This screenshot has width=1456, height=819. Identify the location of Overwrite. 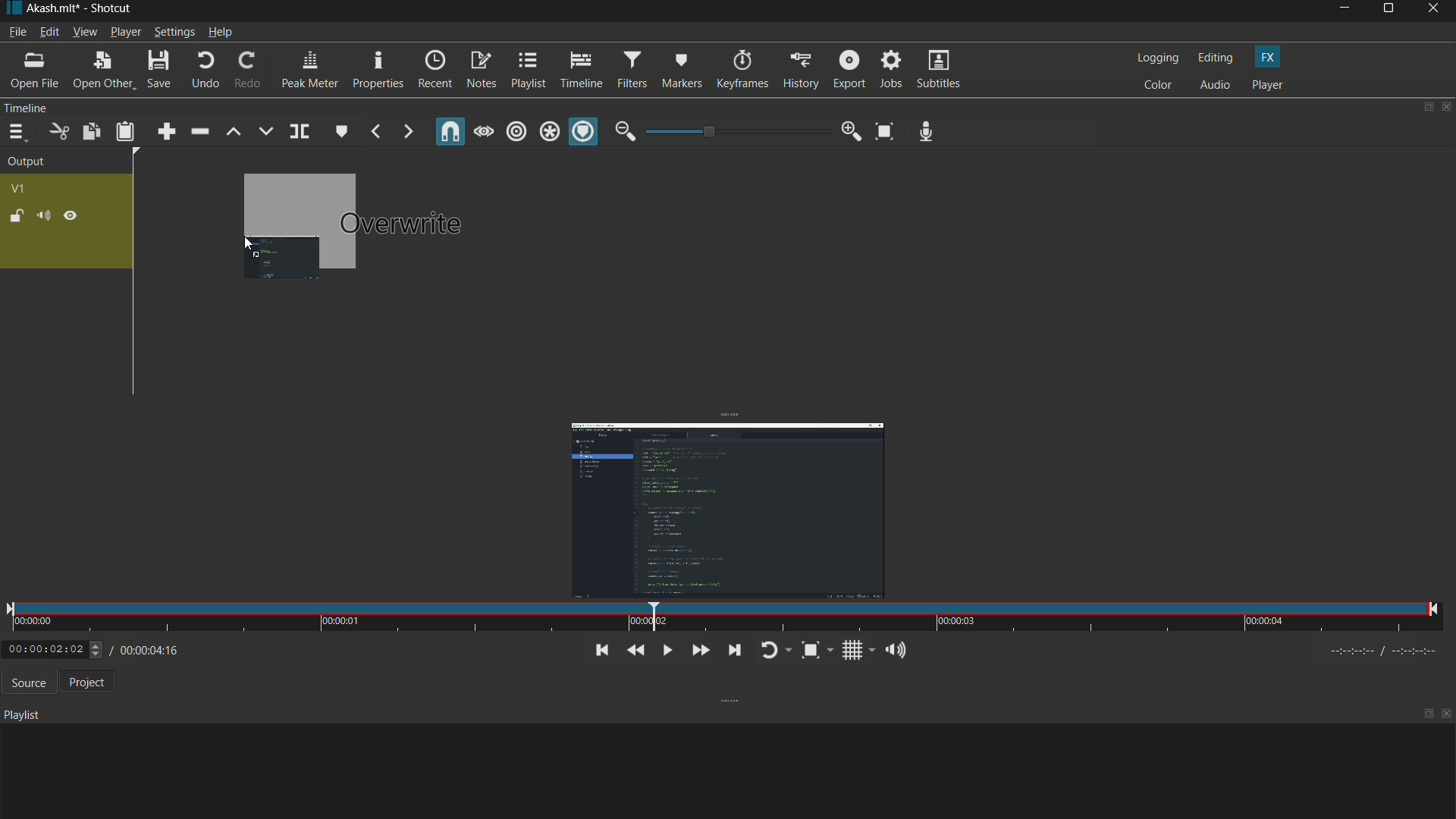
(404, 222).